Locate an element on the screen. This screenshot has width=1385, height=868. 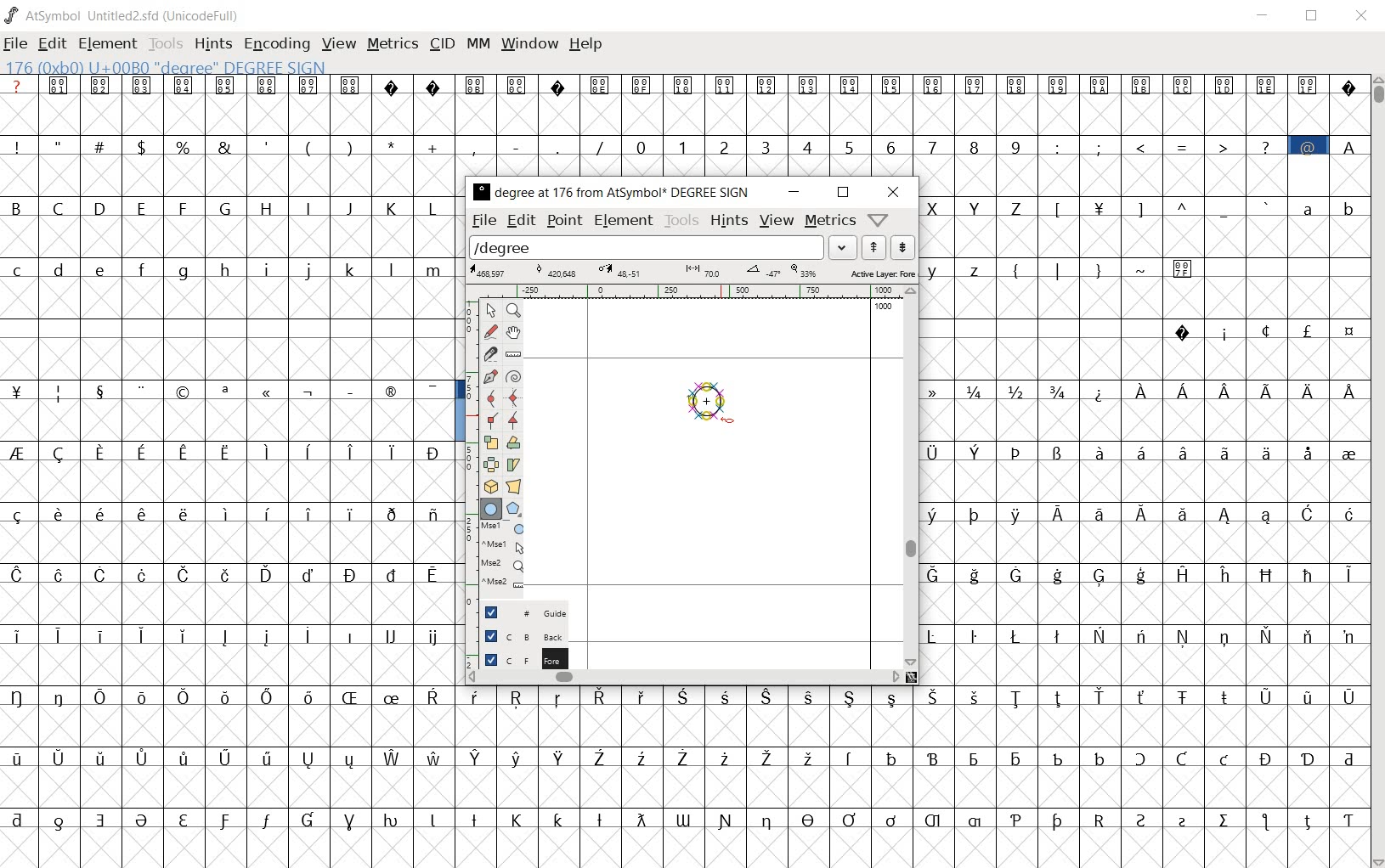
empty glyph slots is located at coordinates (1139, 421).